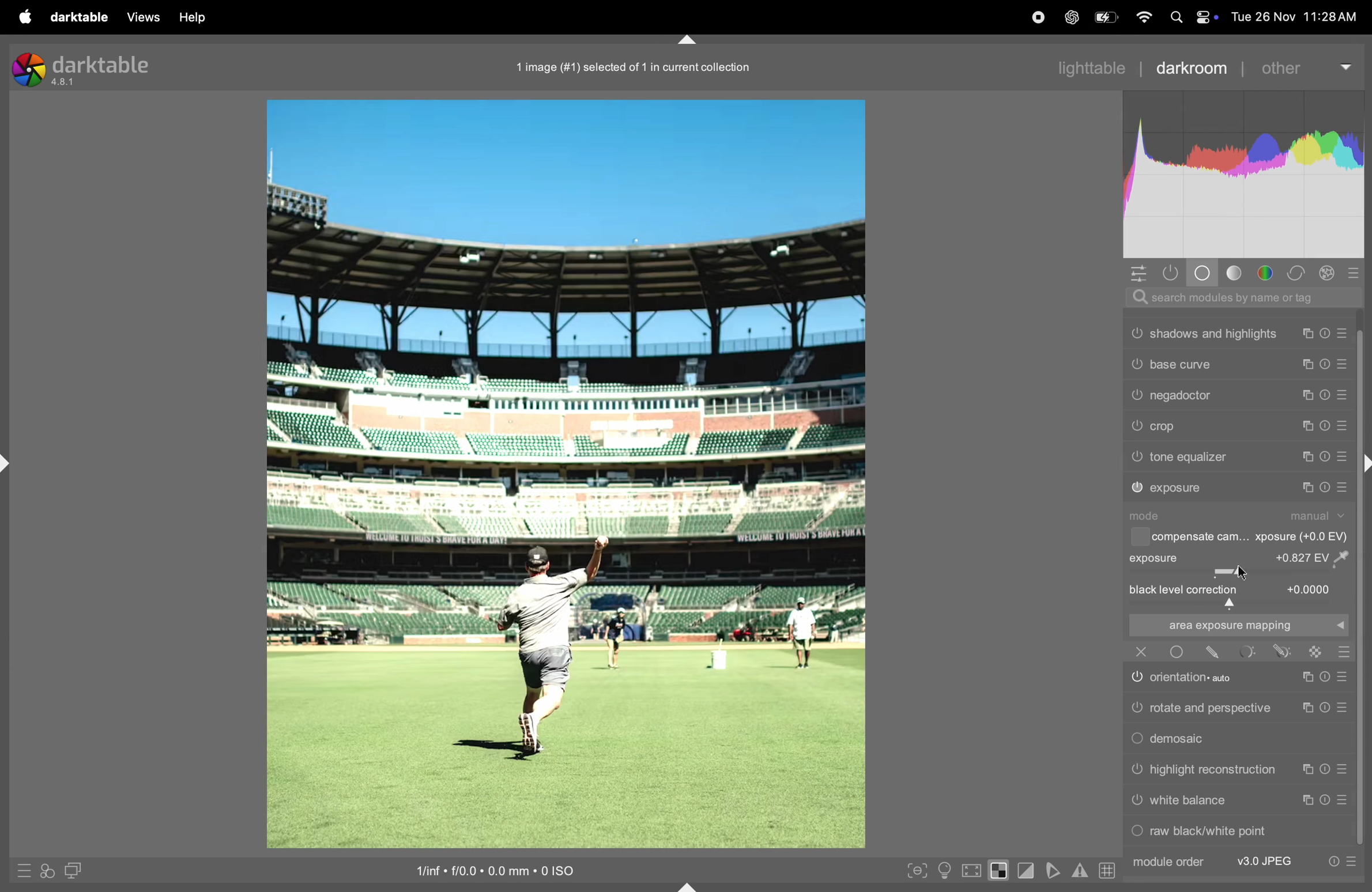  What do you see at coordinates (1137, 488) in the screenshot?
I see `Switch on or off` at bounding box center [1137, 488].